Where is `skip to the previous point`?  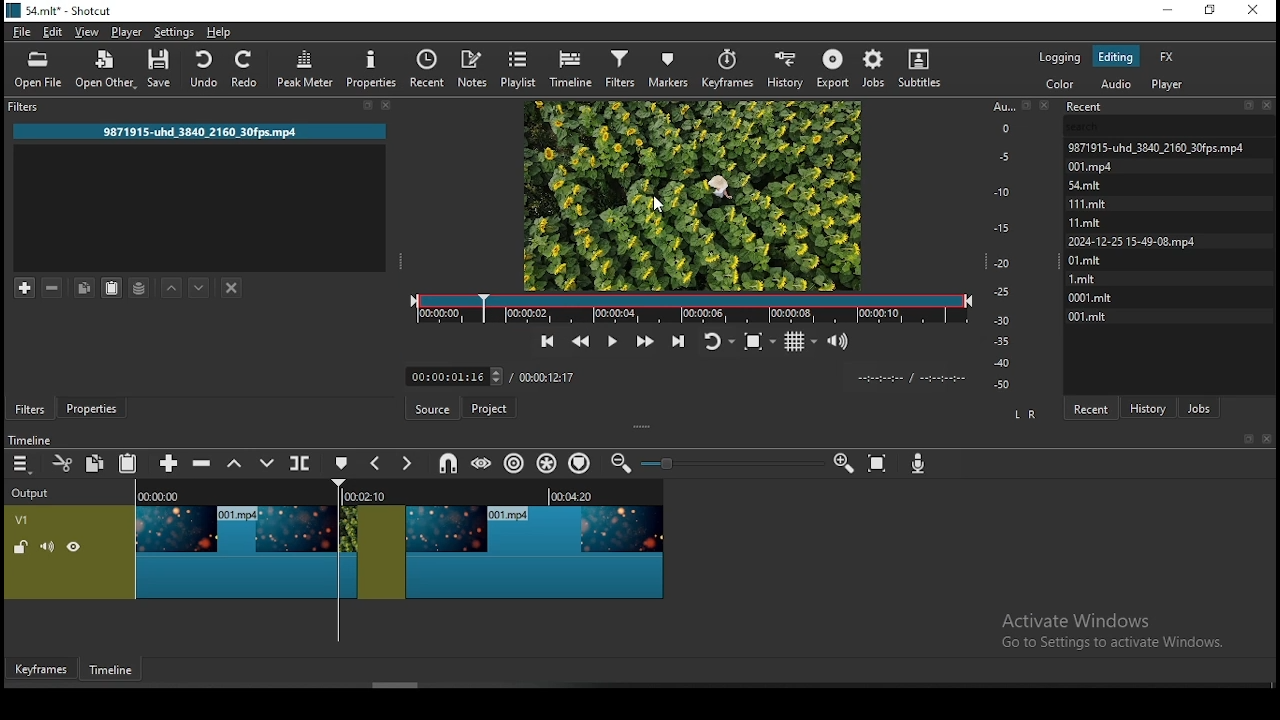
skip to the previous point is located at coordinates (544, 341).